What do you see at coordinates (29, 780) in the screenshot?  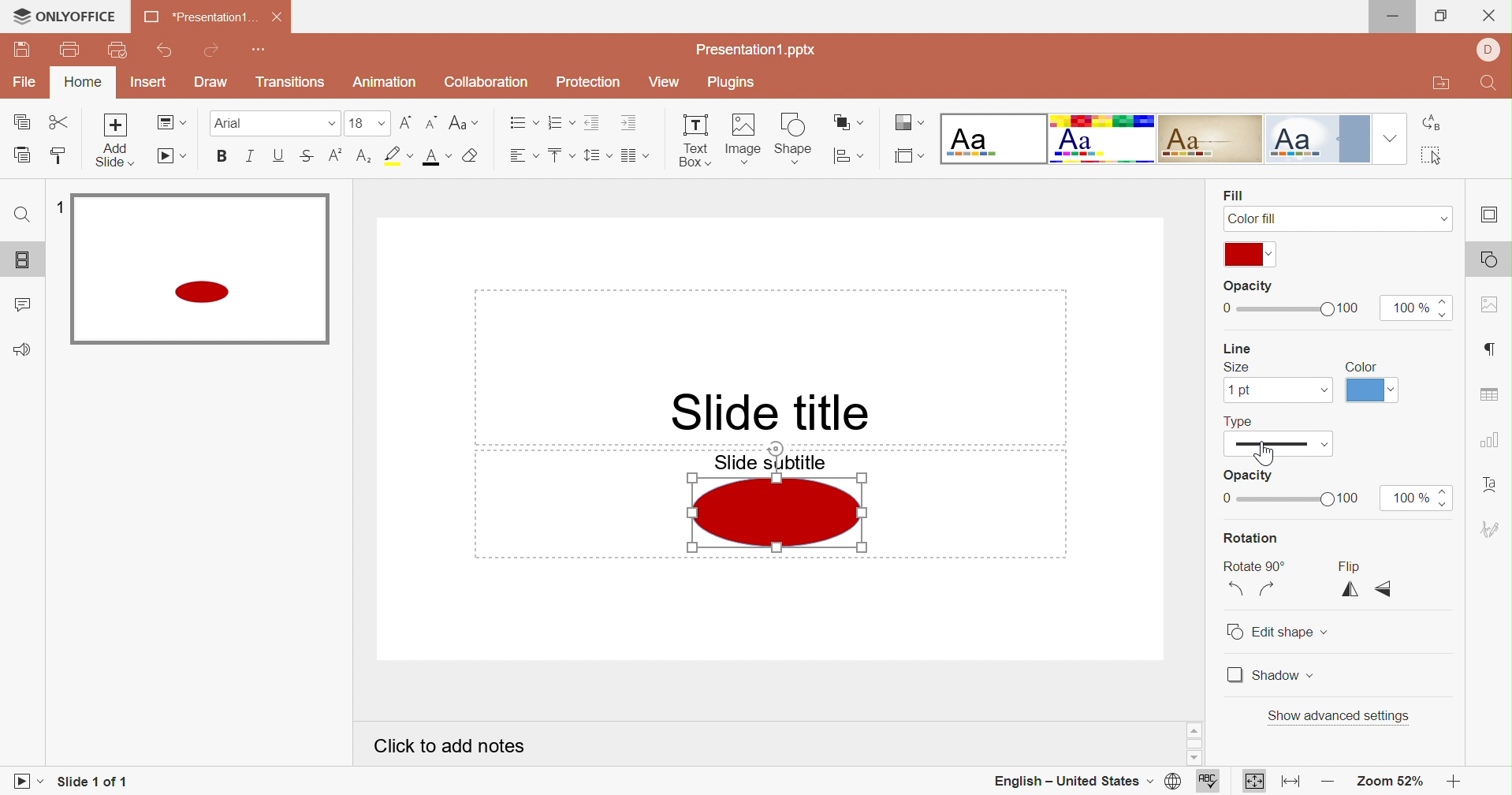 I see `Start slideshow` at bounding box center [29, 780].